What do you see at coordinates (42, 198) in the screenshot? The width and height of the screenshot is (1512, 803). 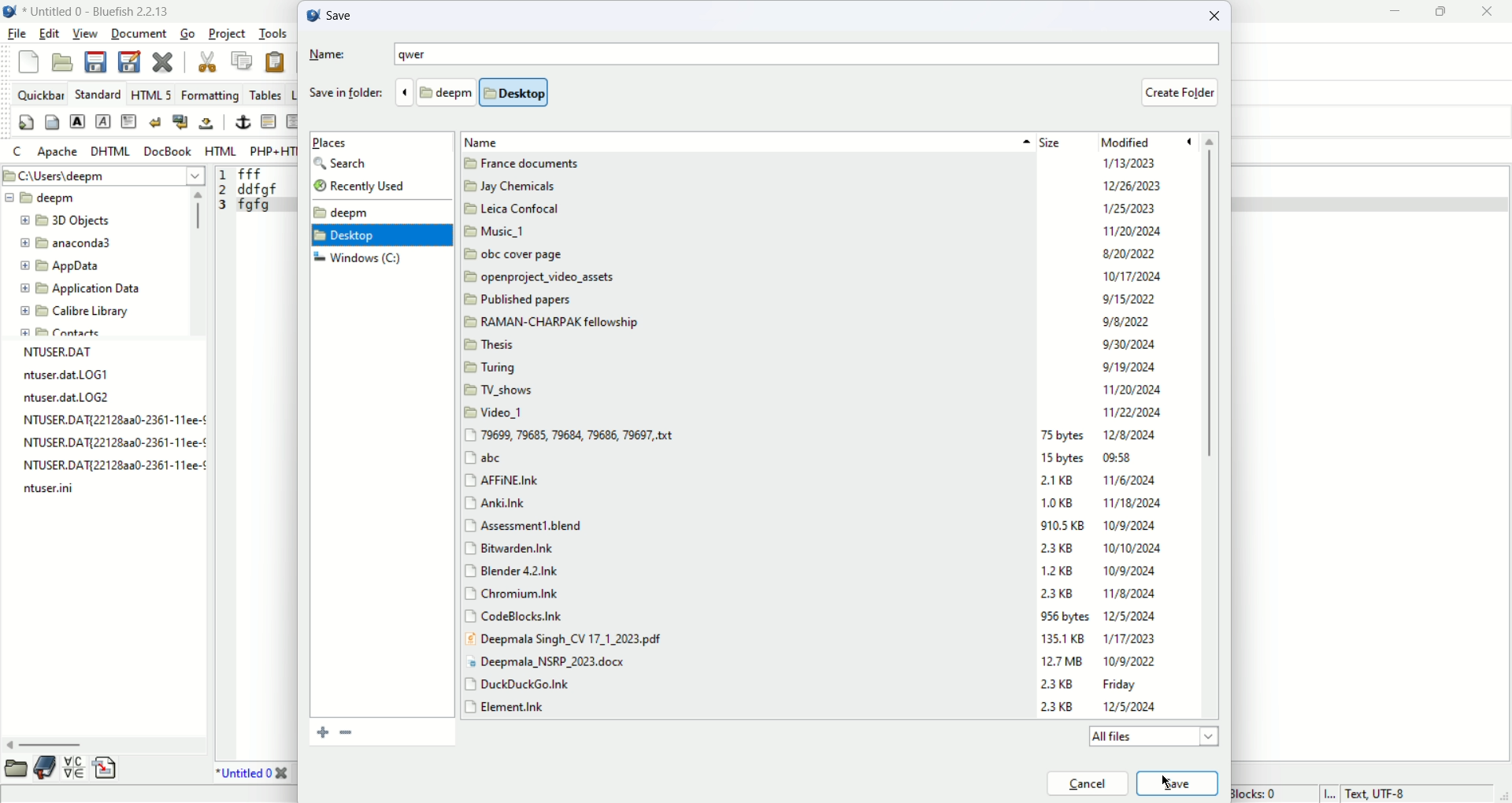 I see `deepm` at bounding box center [42, 198].